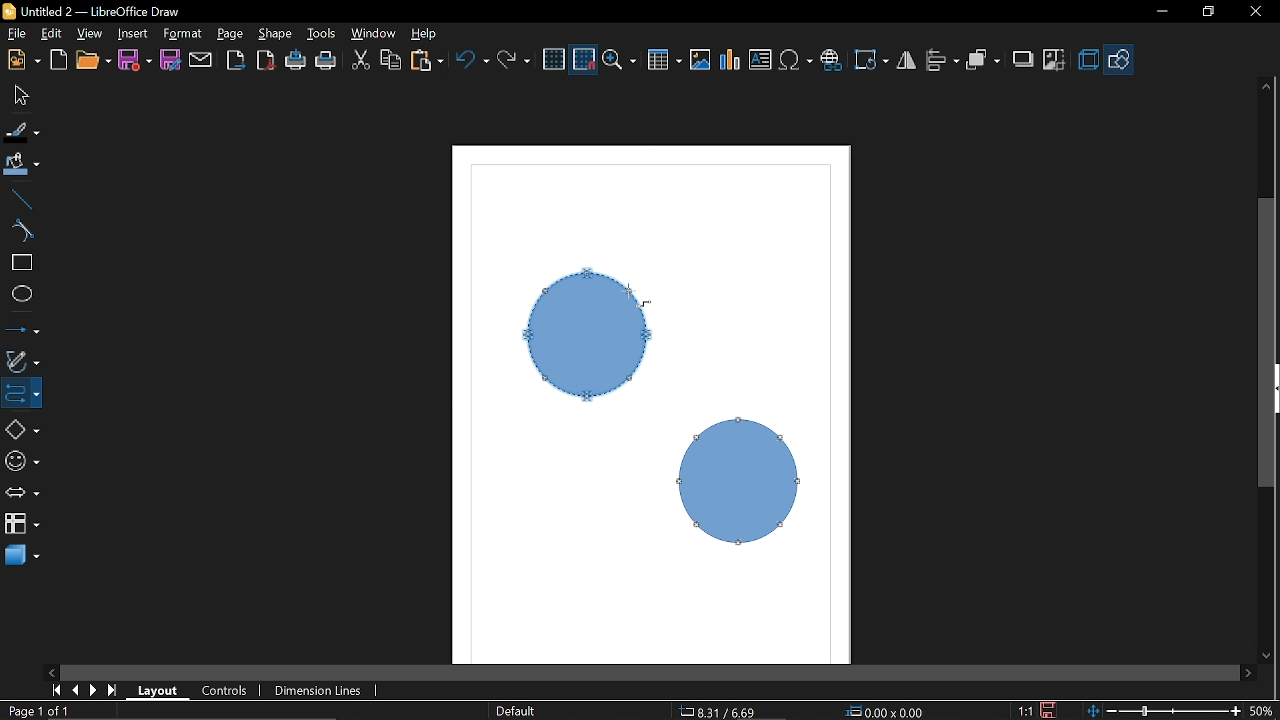 Image resolution: width=1280 pixels, height=720 pixels. I want to click on Save as, so click(170, 59).